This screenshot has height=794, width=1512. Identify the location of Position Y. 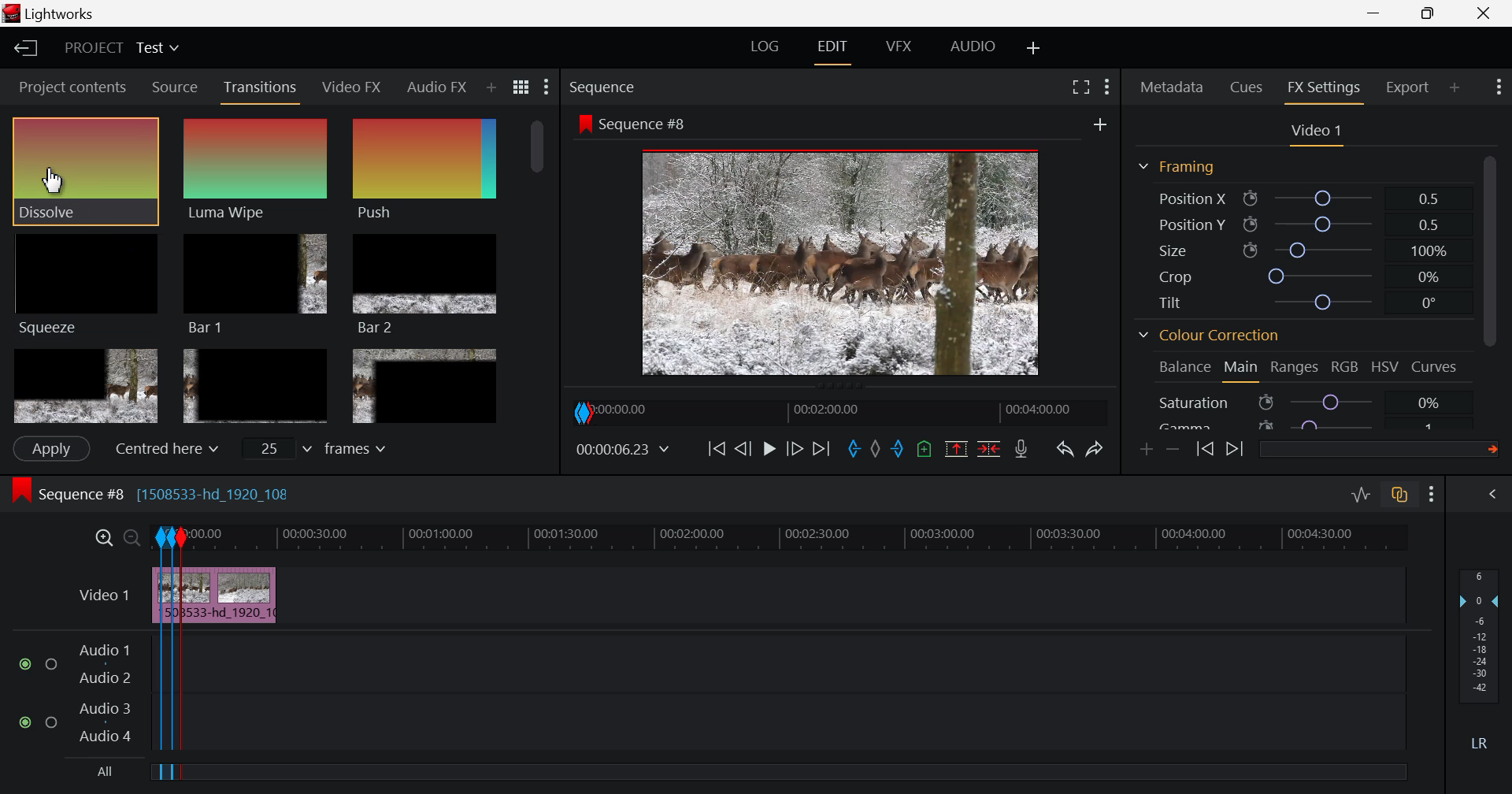
(1304, 224).